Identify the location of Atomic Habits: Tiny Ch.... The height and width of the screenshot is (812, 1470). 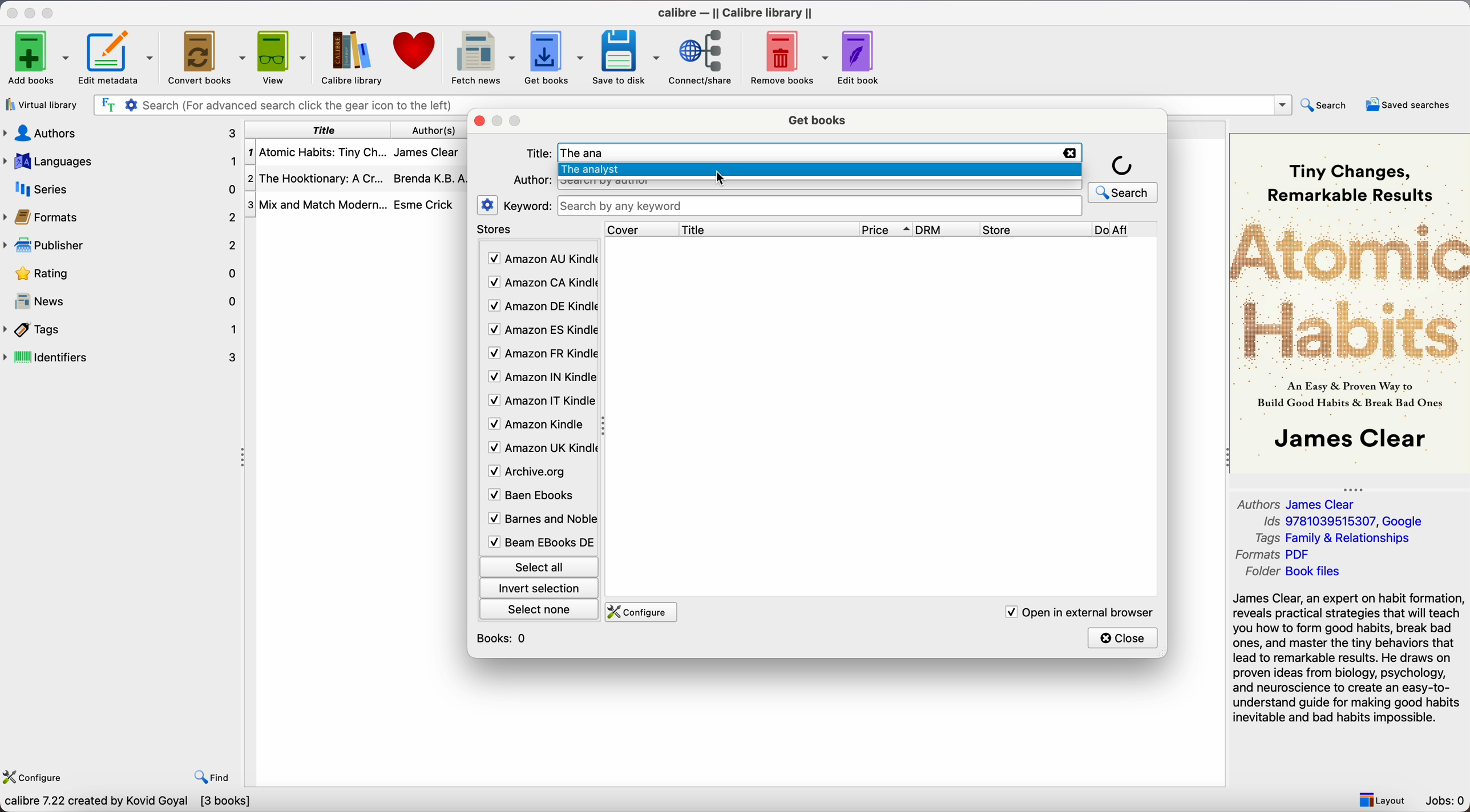
(320, 152).